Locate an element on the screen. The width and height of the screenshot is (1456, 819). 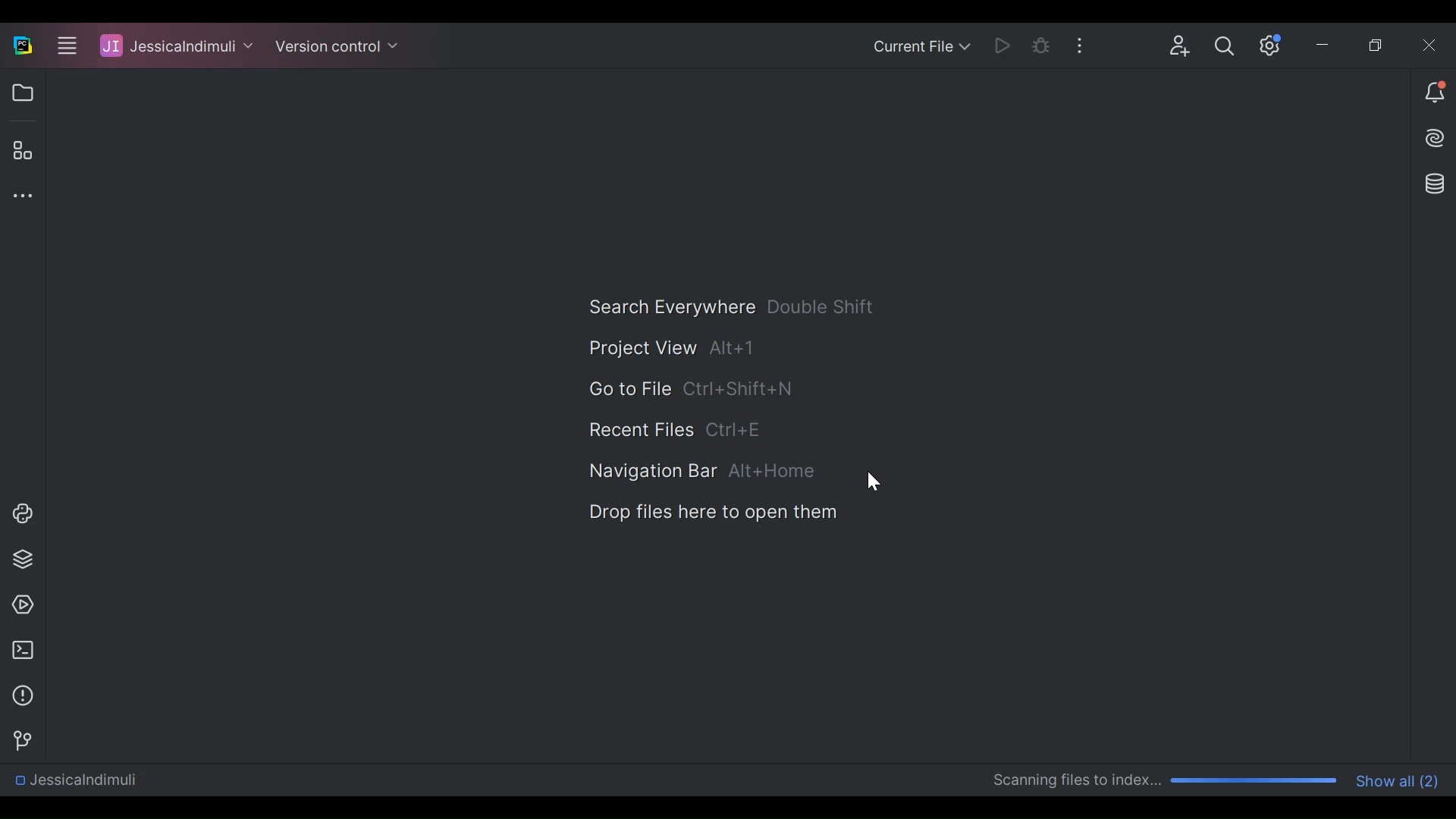
Drag files here to open them is located at coordinates (711, 512).